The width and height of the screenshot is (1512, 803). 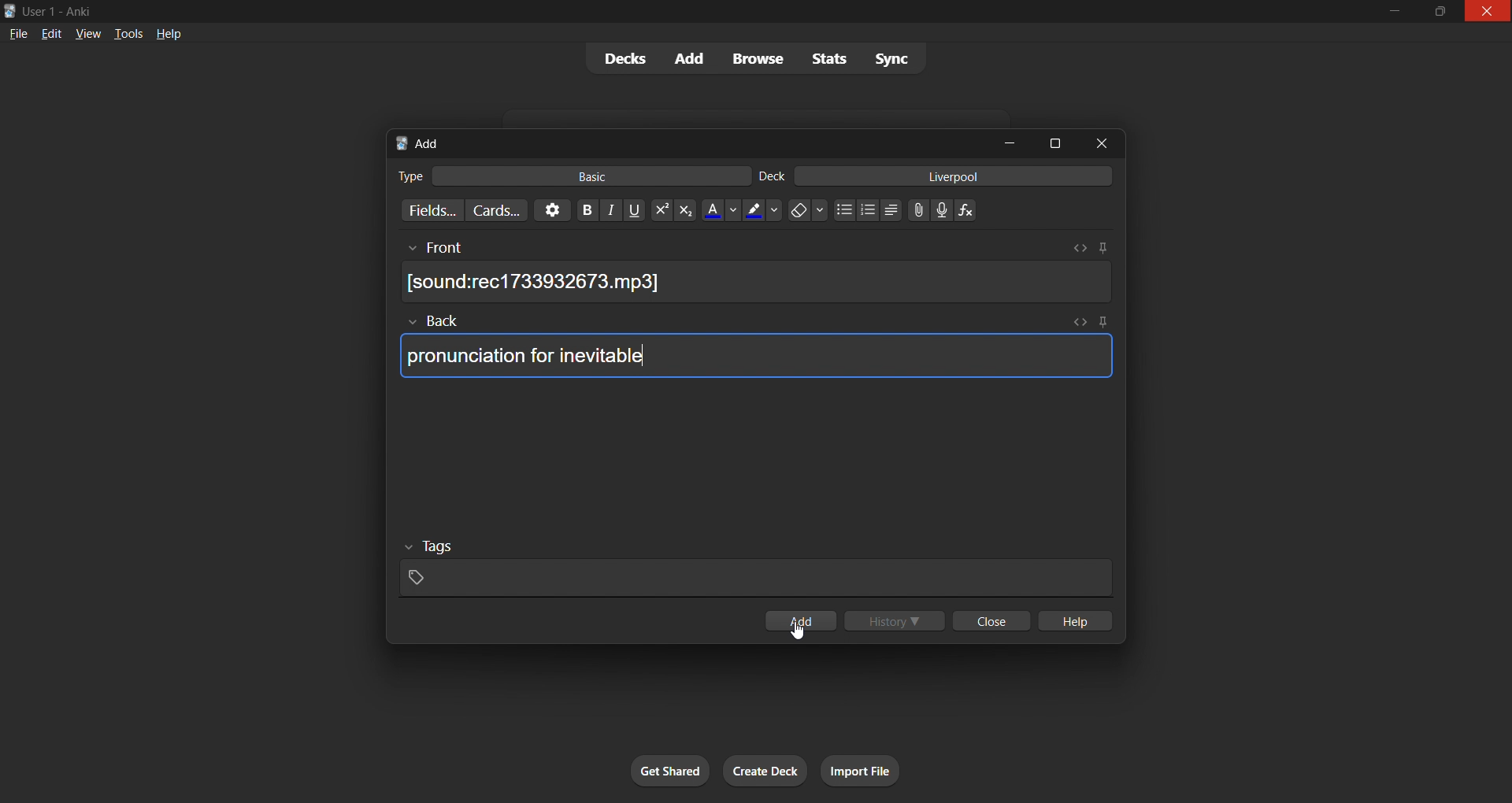 What do you see at coordinates (581, 210) in the screenshot?
I see `bold` at bounding box center [581, 210].